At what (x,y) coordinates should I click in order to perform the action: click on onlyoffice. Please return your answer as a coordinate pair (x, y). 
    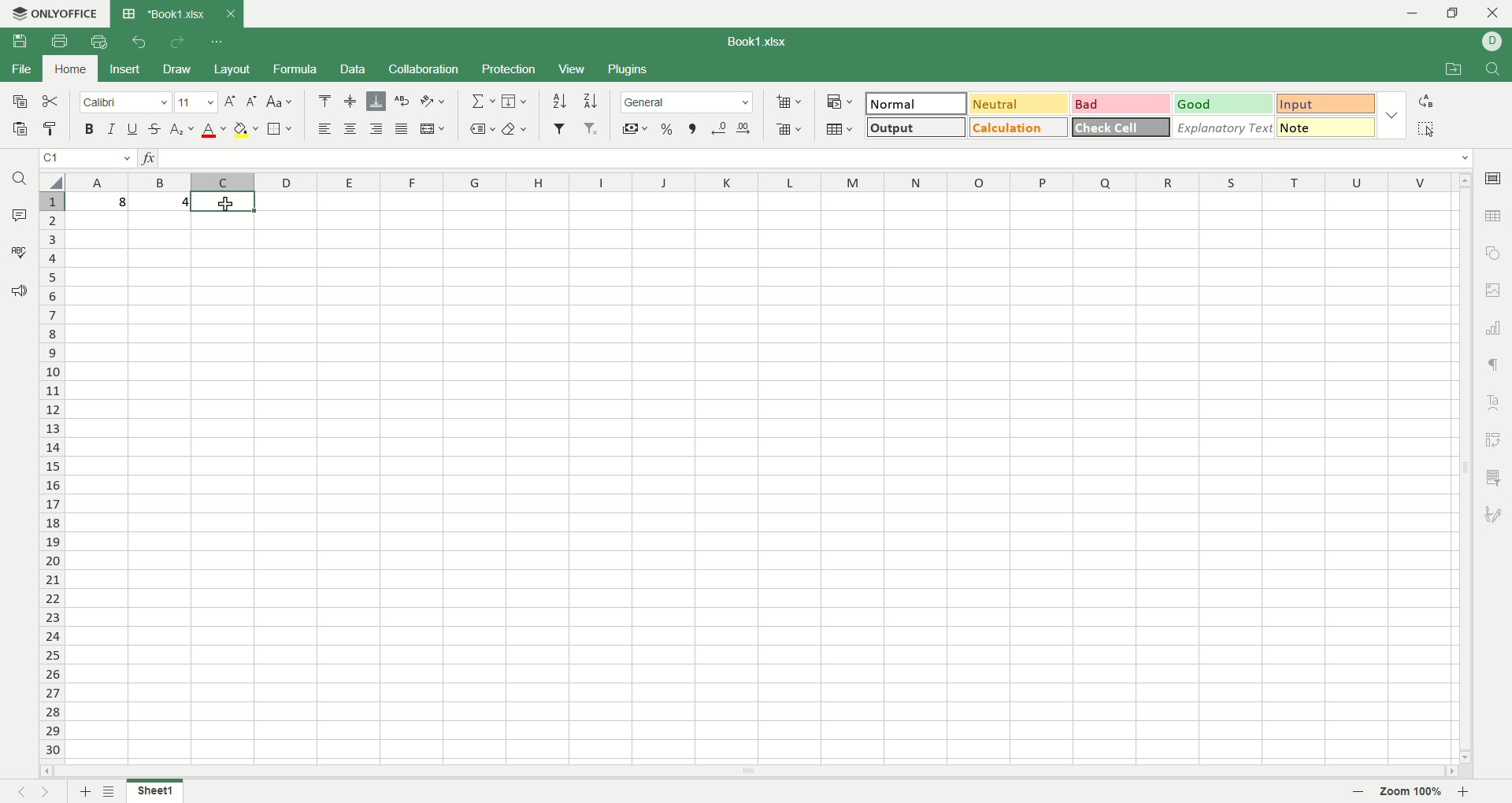
    Looking at the image, I should click on (53, 13).